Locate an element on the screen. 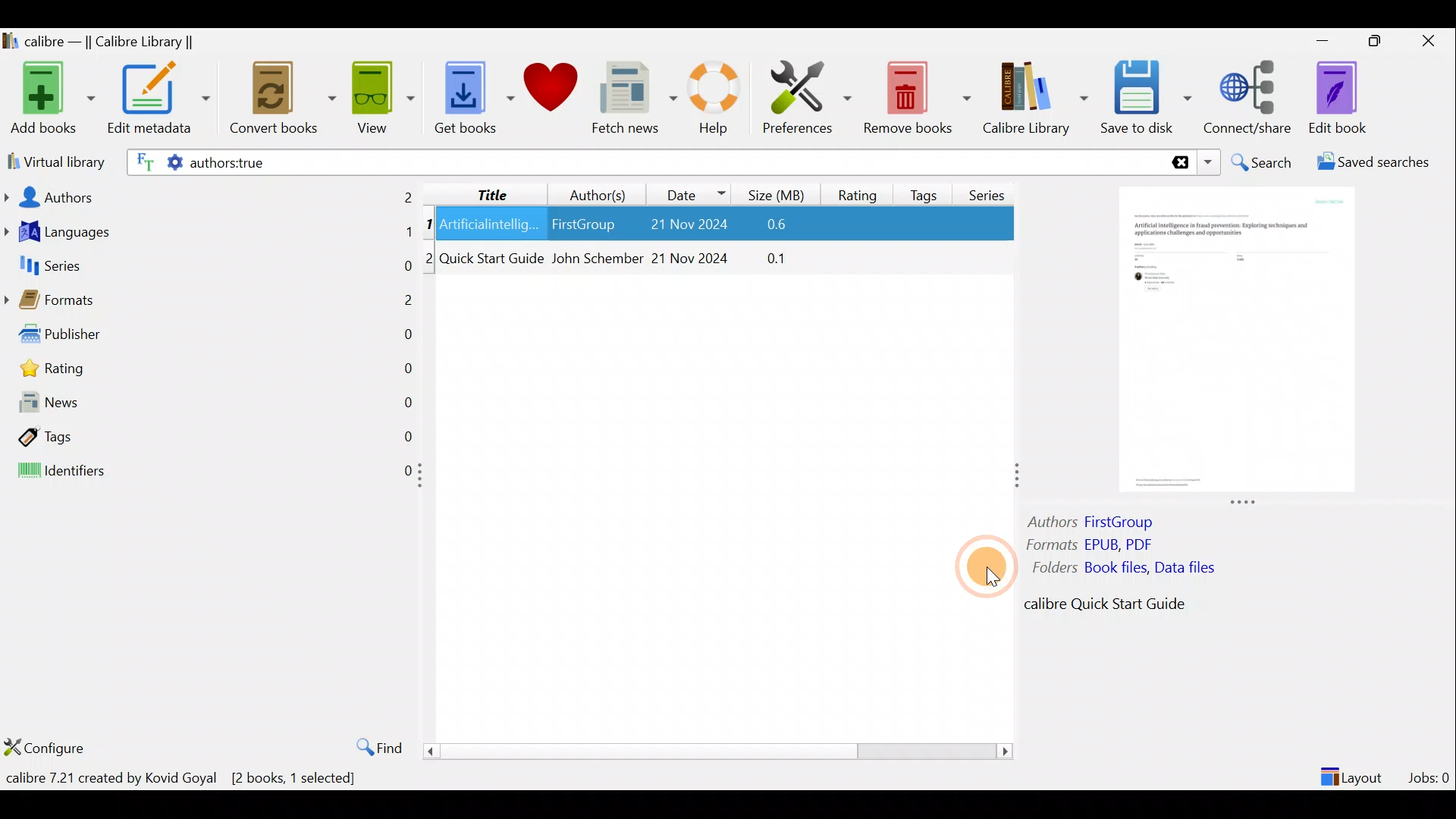  Author(s) is located at coordinates (591, 191).